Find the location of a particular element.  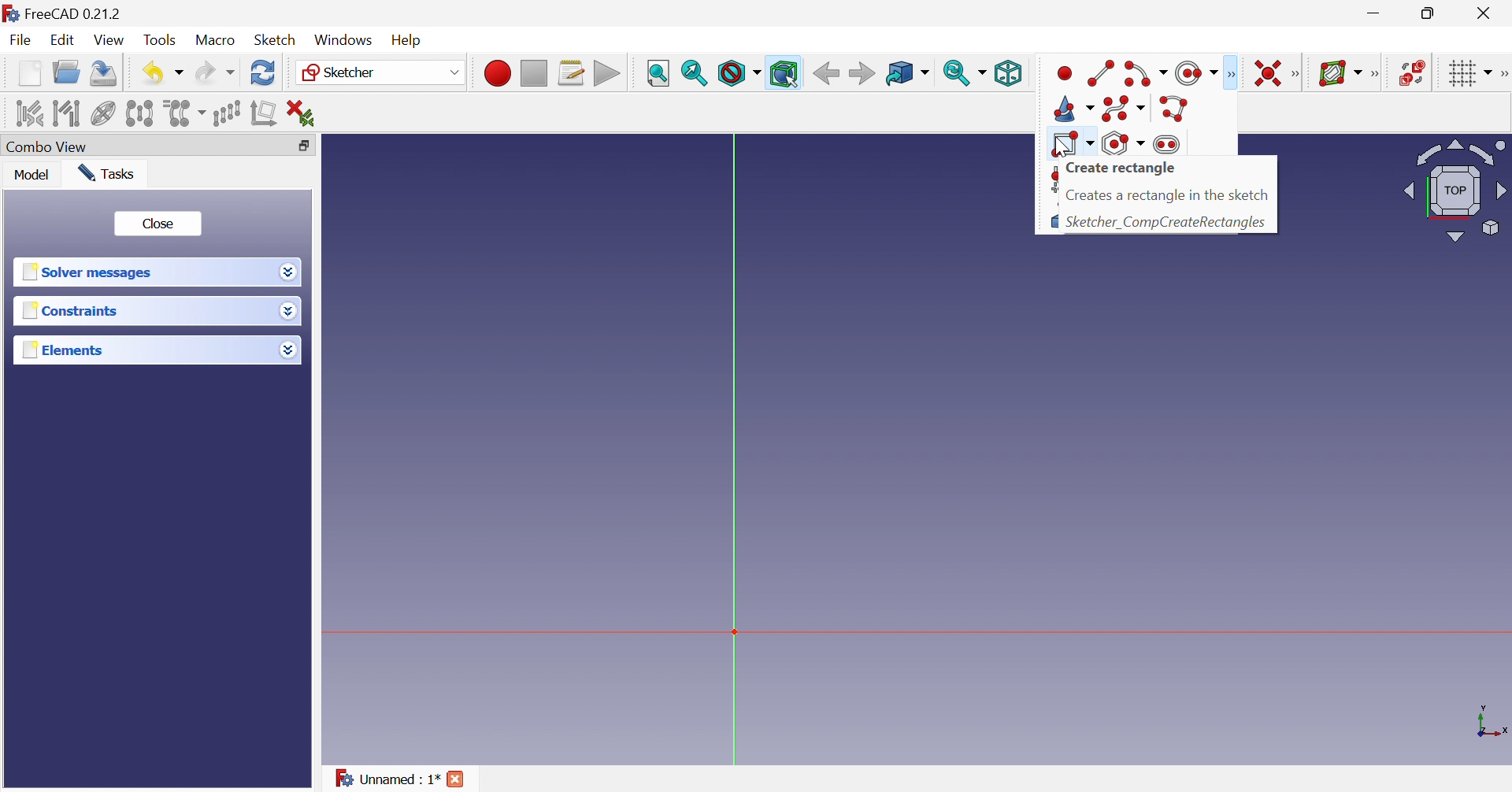

File is located at coordinates (22, 41).